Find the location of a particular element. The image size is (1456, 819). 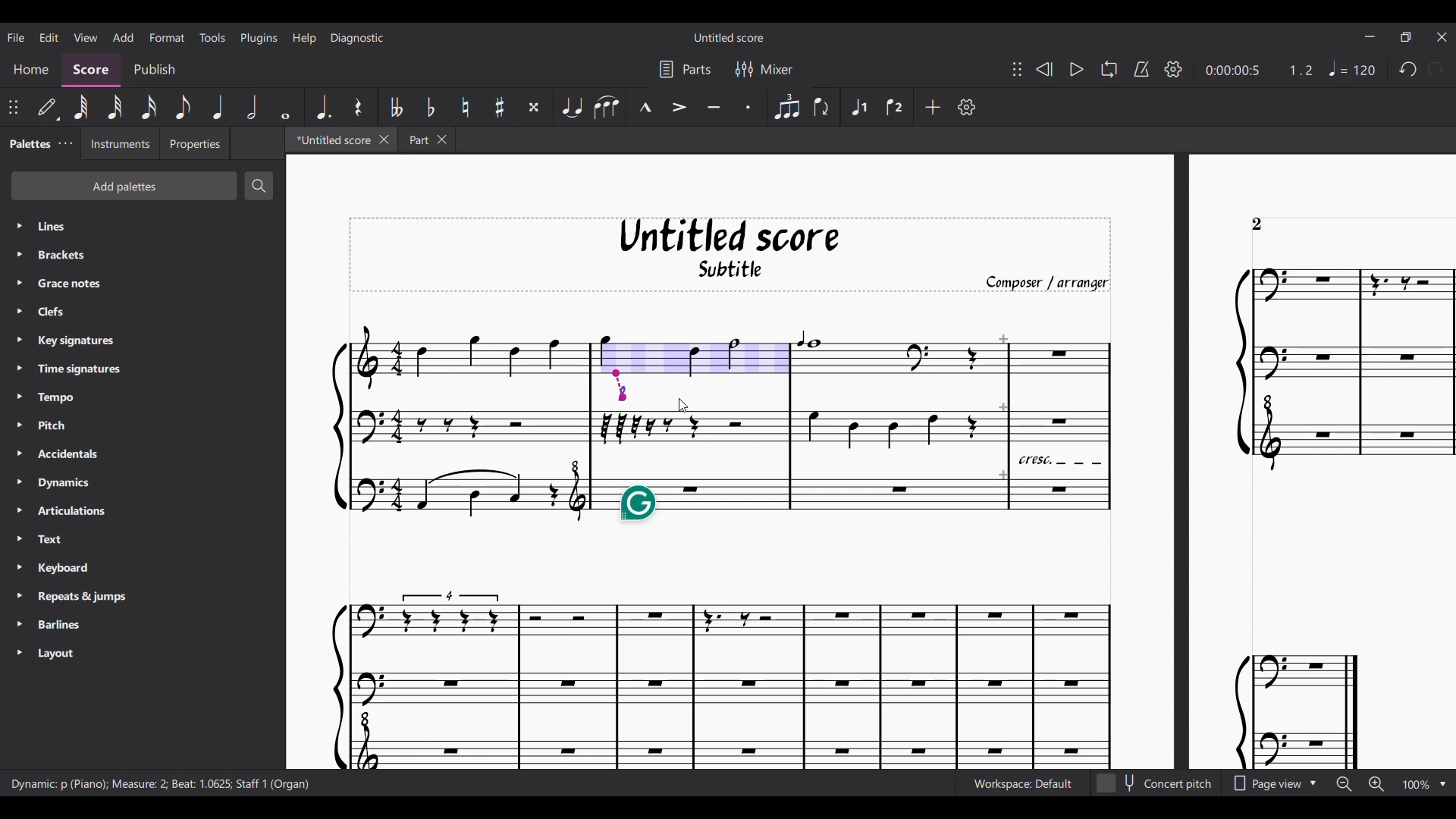

Toggle natural is located at coordinates (466, 107).